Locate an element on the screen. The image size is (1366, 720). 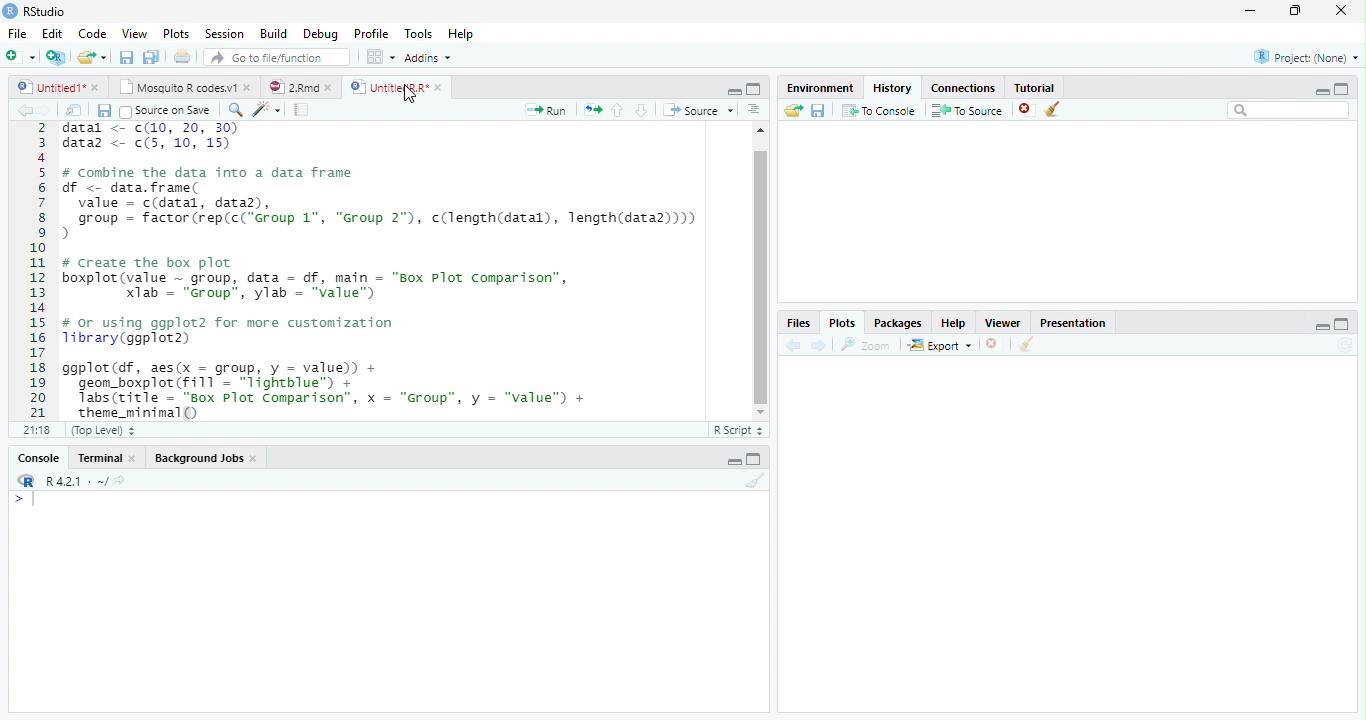
Save all open documents is located at coordinates (151, 56).